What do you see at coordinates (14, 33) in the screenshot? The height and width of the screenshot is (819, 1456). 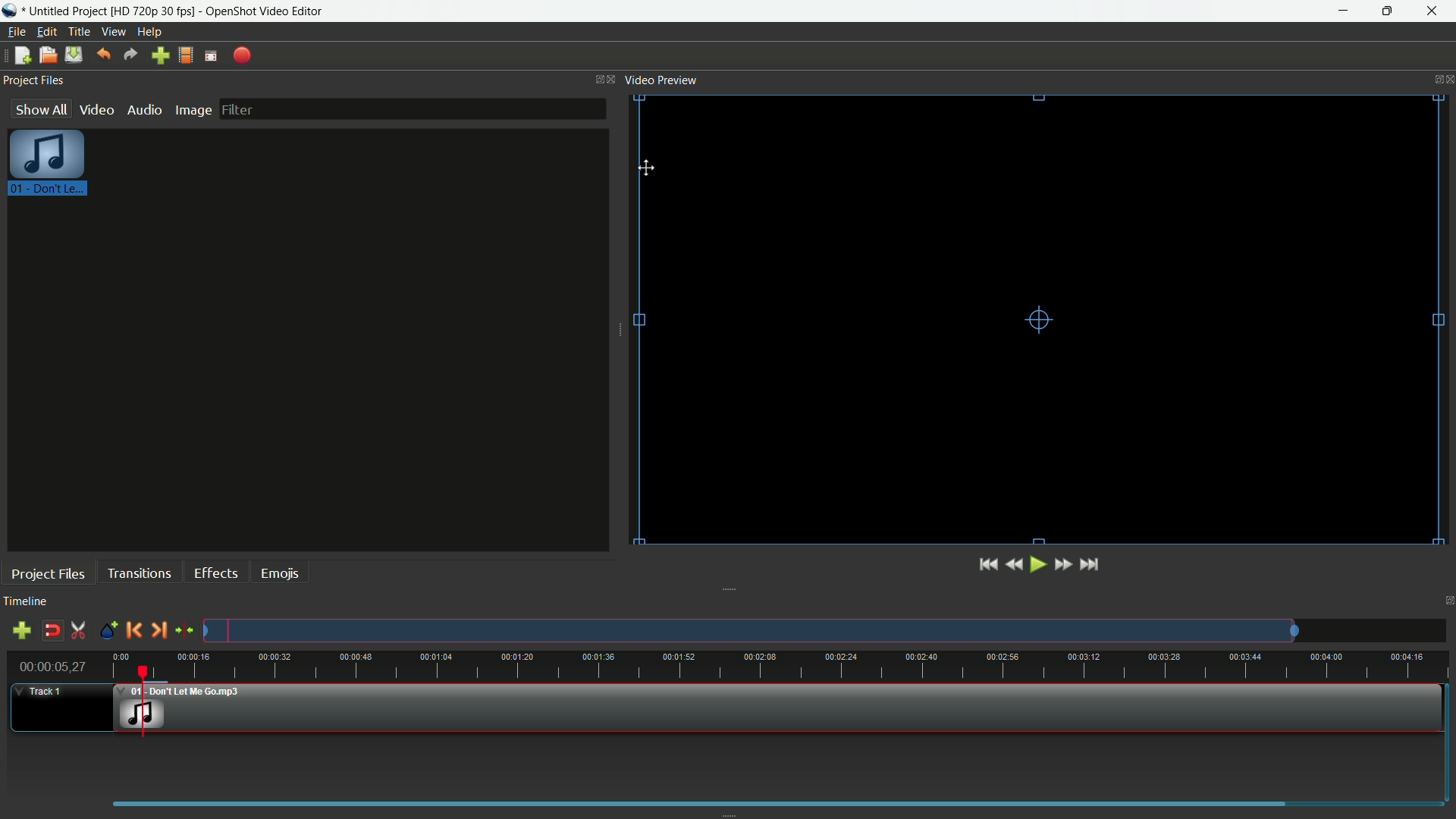 I see `file menu` at bounding box center [14, 33].